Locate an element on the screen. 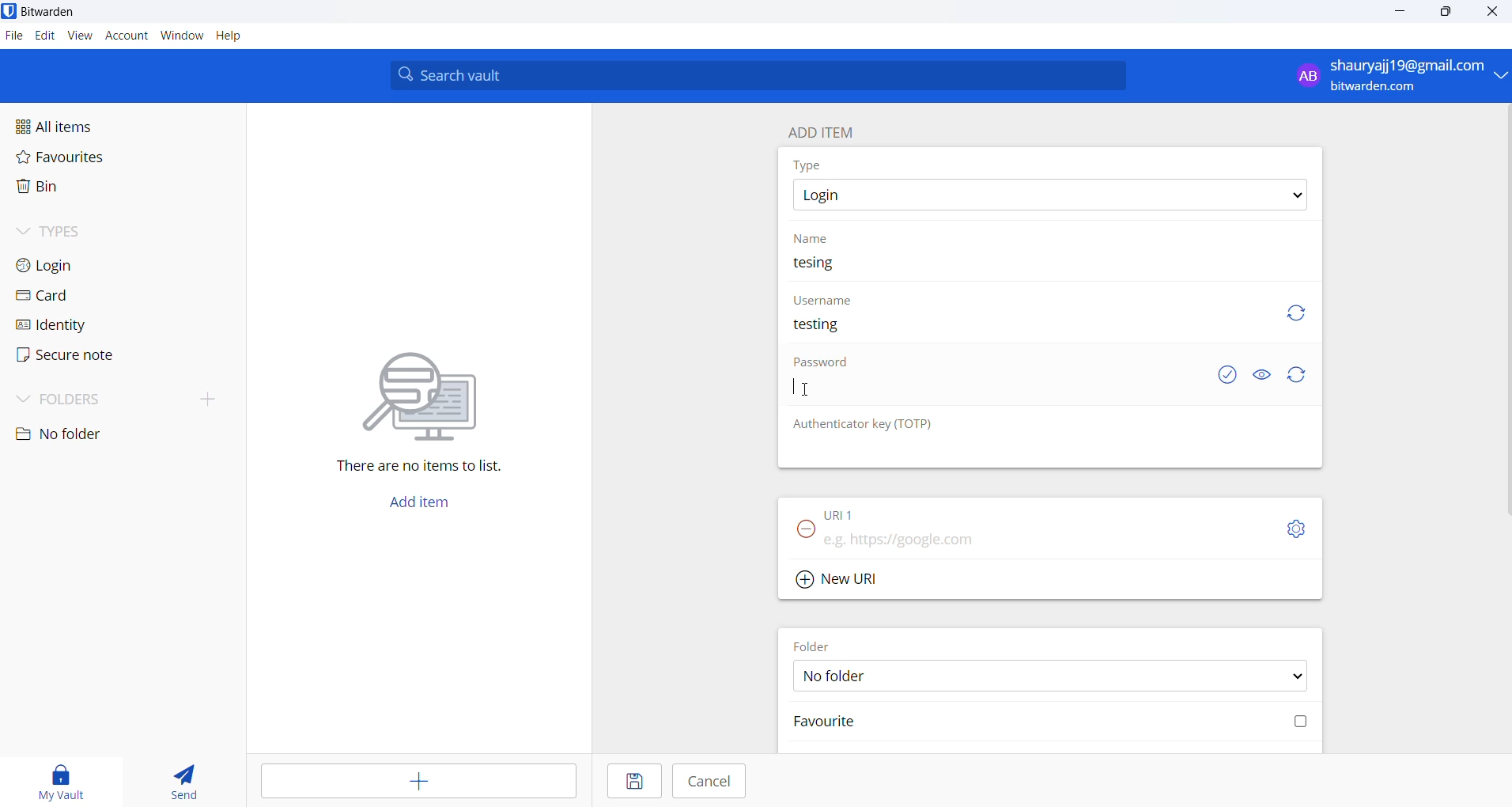 The height and width of the screenshot is (807, 1512). vector image representing searching for file is located at coordinates (430, 385).